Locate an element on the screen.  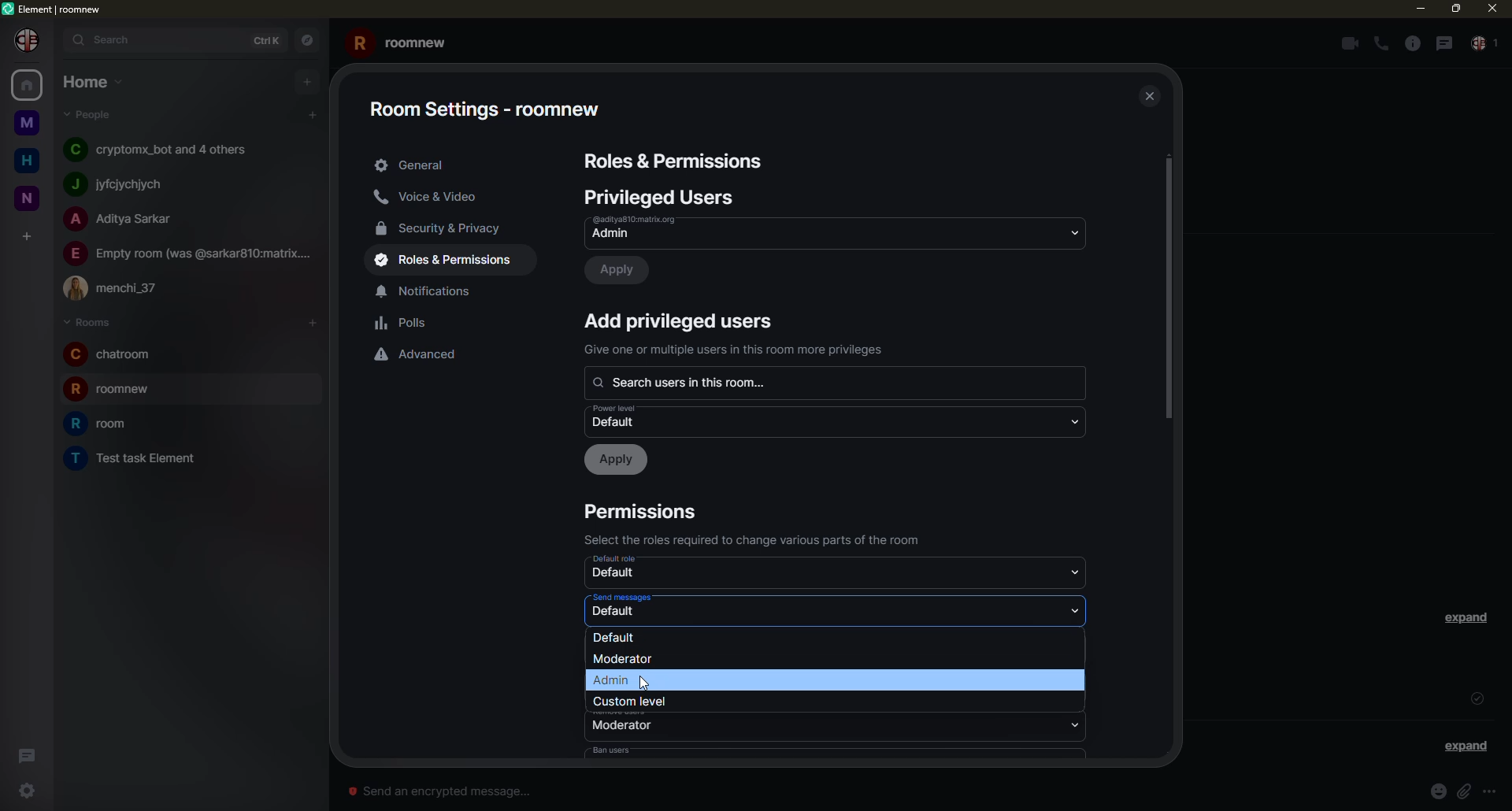
drop is located at coordinates (1075, 688).